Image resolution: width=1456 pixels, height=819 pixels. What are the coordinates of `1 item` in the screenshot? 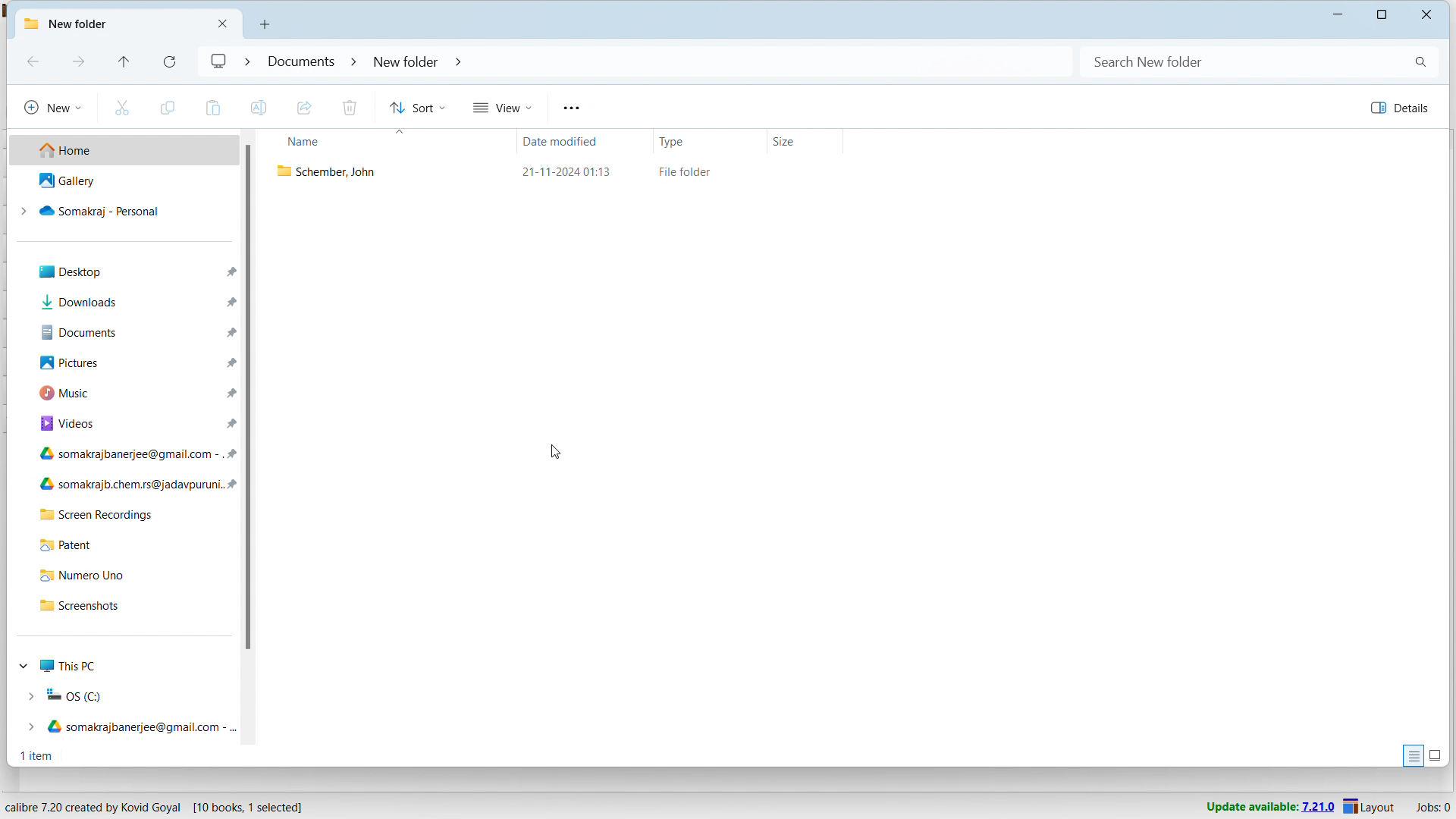 It's located at (42, 758).